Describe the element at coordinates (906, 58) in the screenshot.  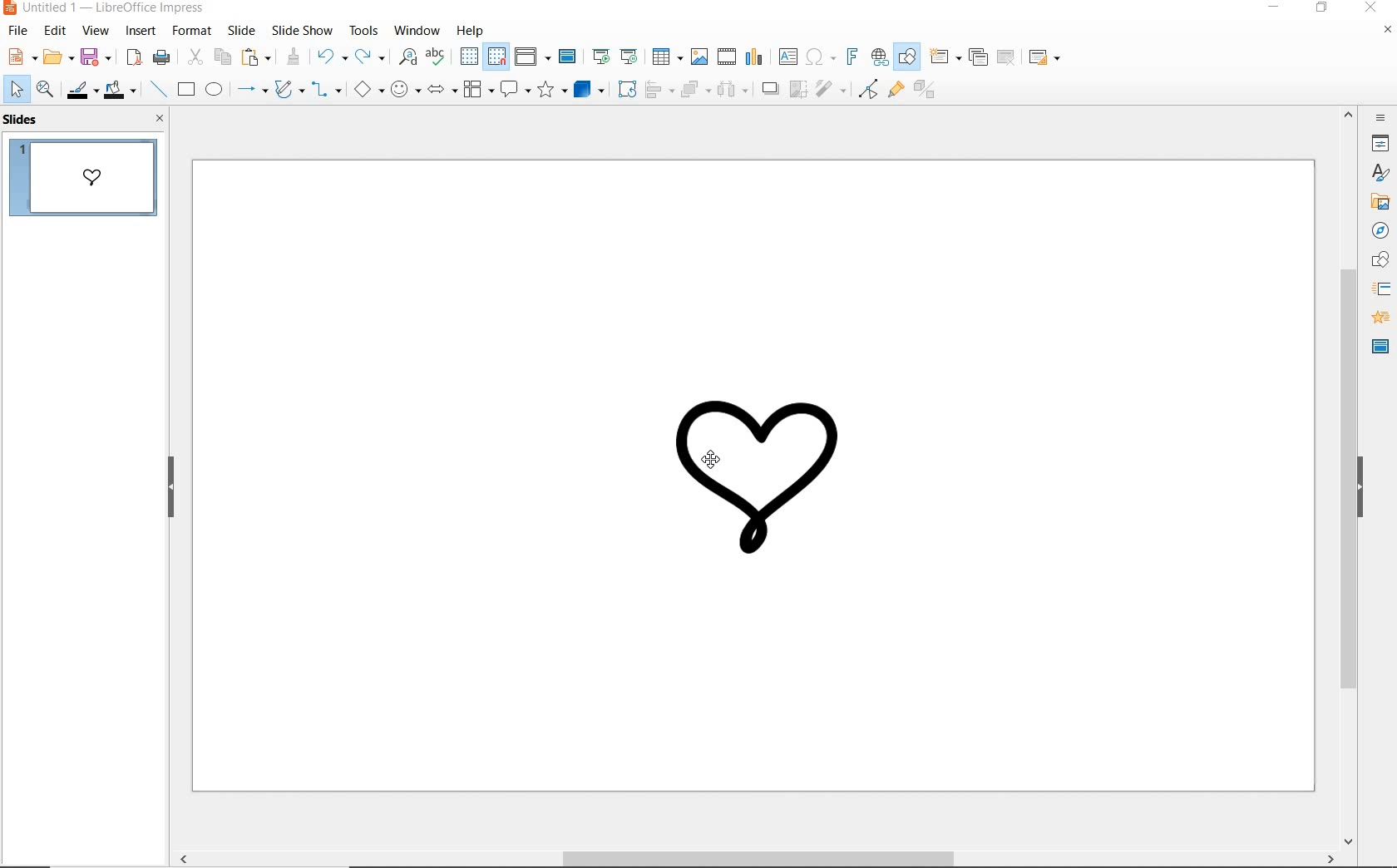
I see `show draw functions` at that location.